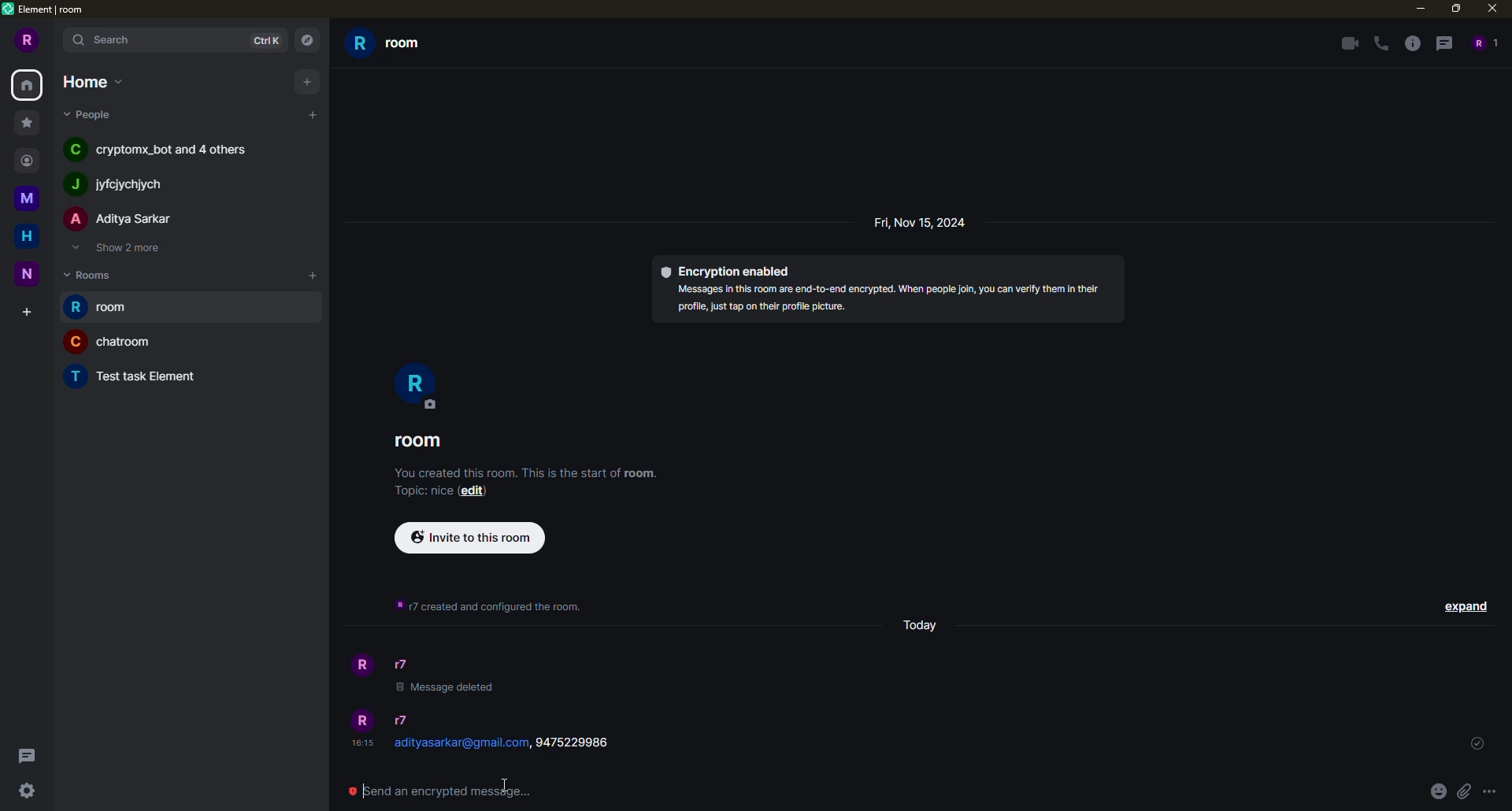  What do you see at coordinates (1463, 792) in the screenshot?
I see `attach` at bounding box center [1463, 792].